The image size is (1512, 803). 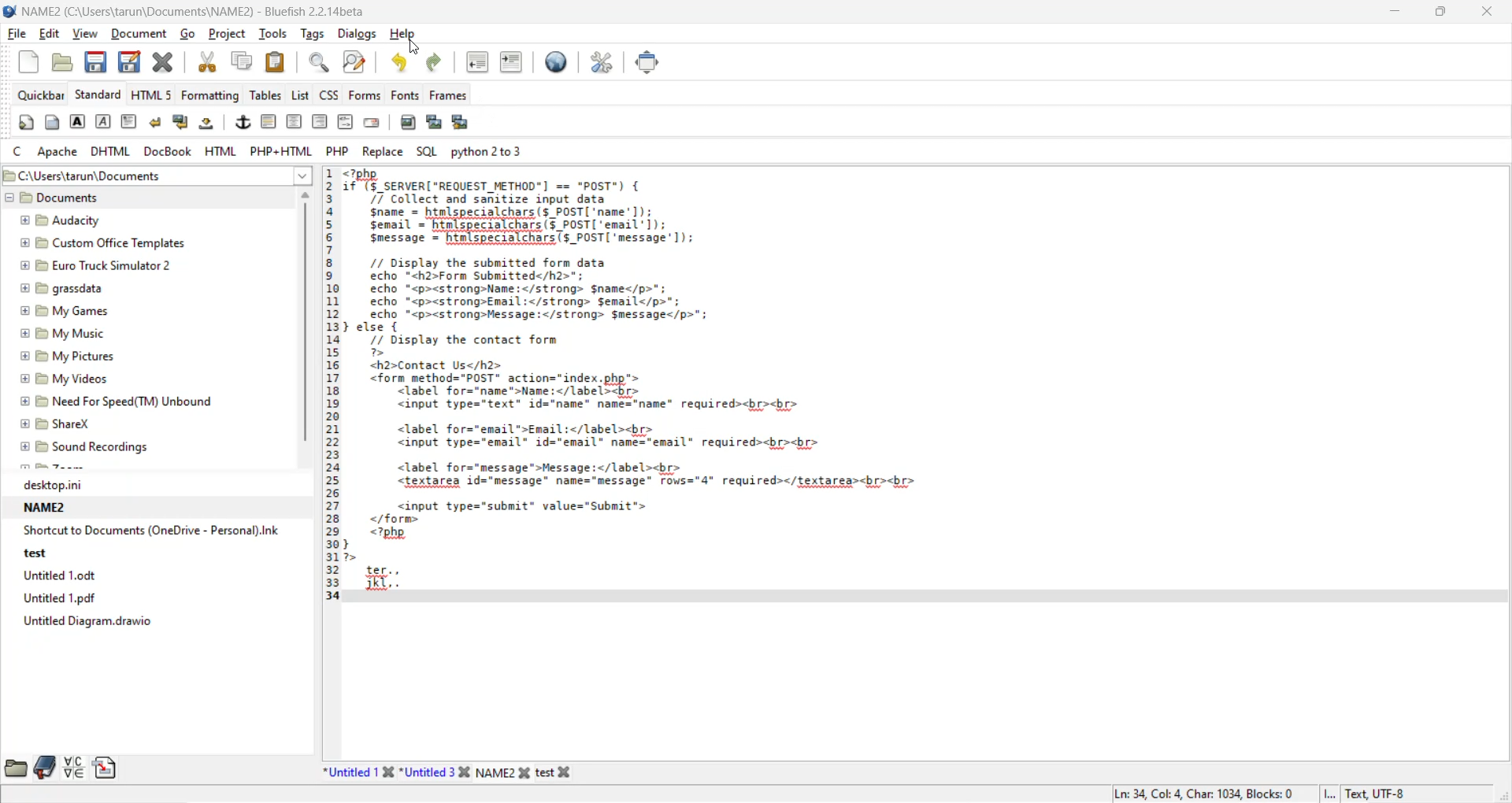 I want to click on NAME2, so click(x=502, y=771).